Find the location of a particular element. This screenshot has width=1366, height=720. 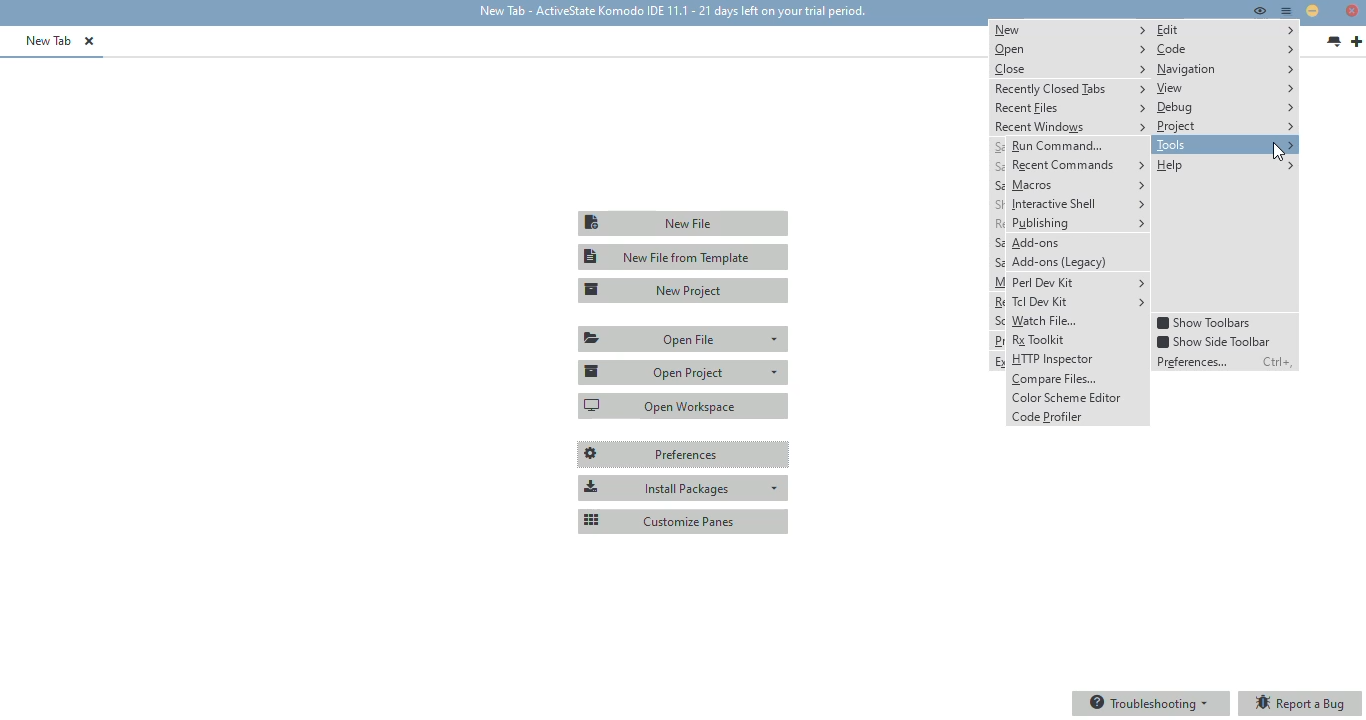

recently closed tabs is located at coordinates (1071, 88).